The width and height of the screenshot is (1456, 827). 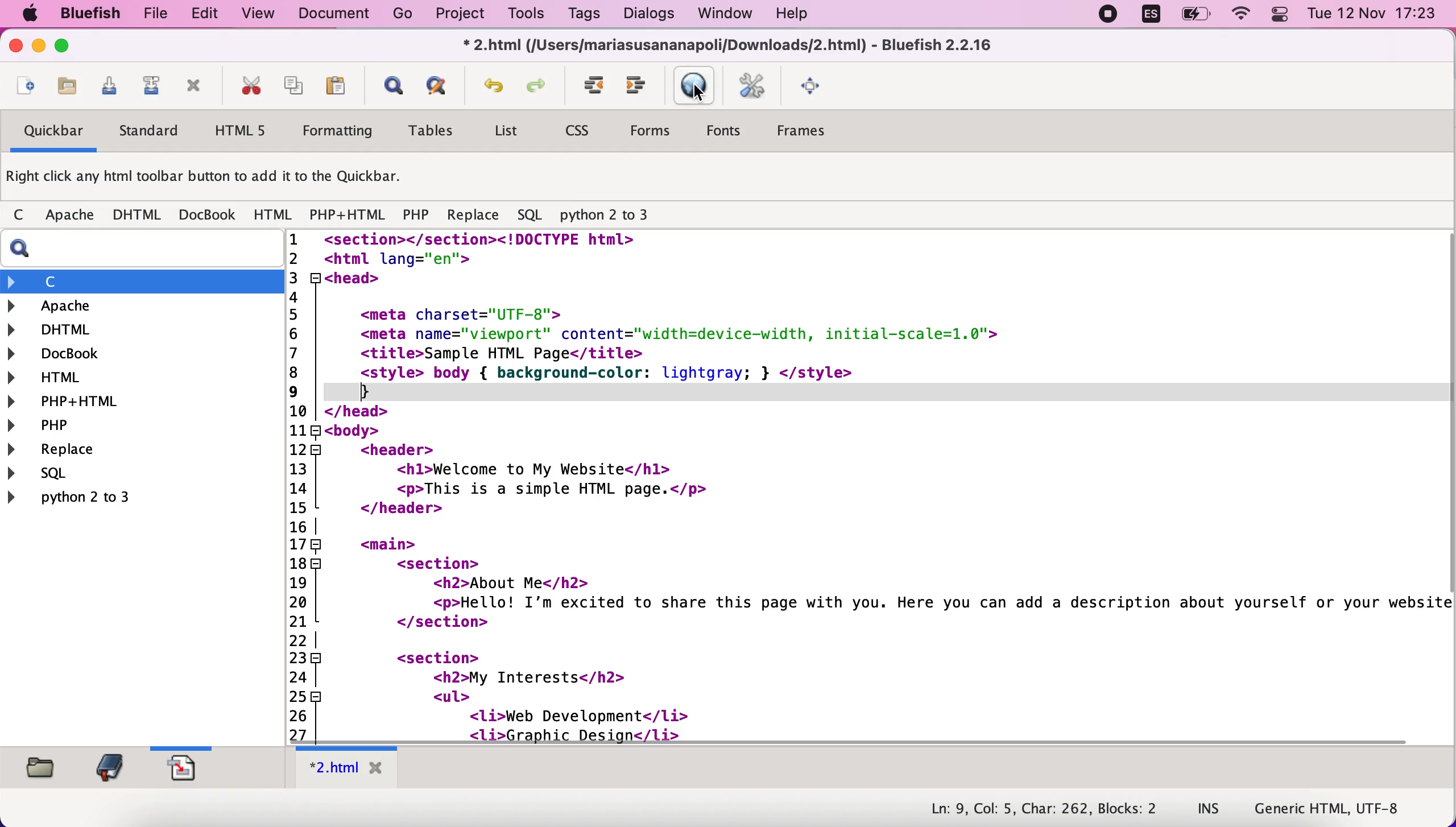 I want to click on redo, so click(x=537, y=86).